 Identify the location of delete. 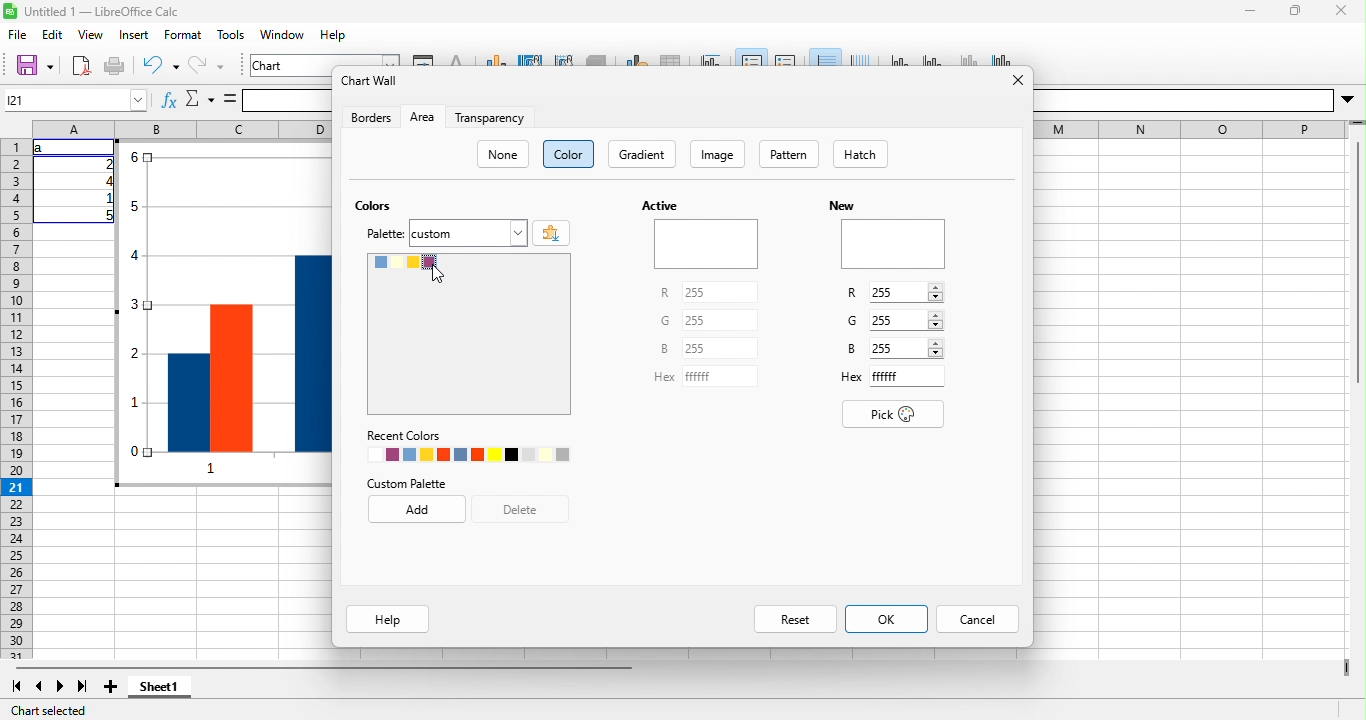
(520, 509).